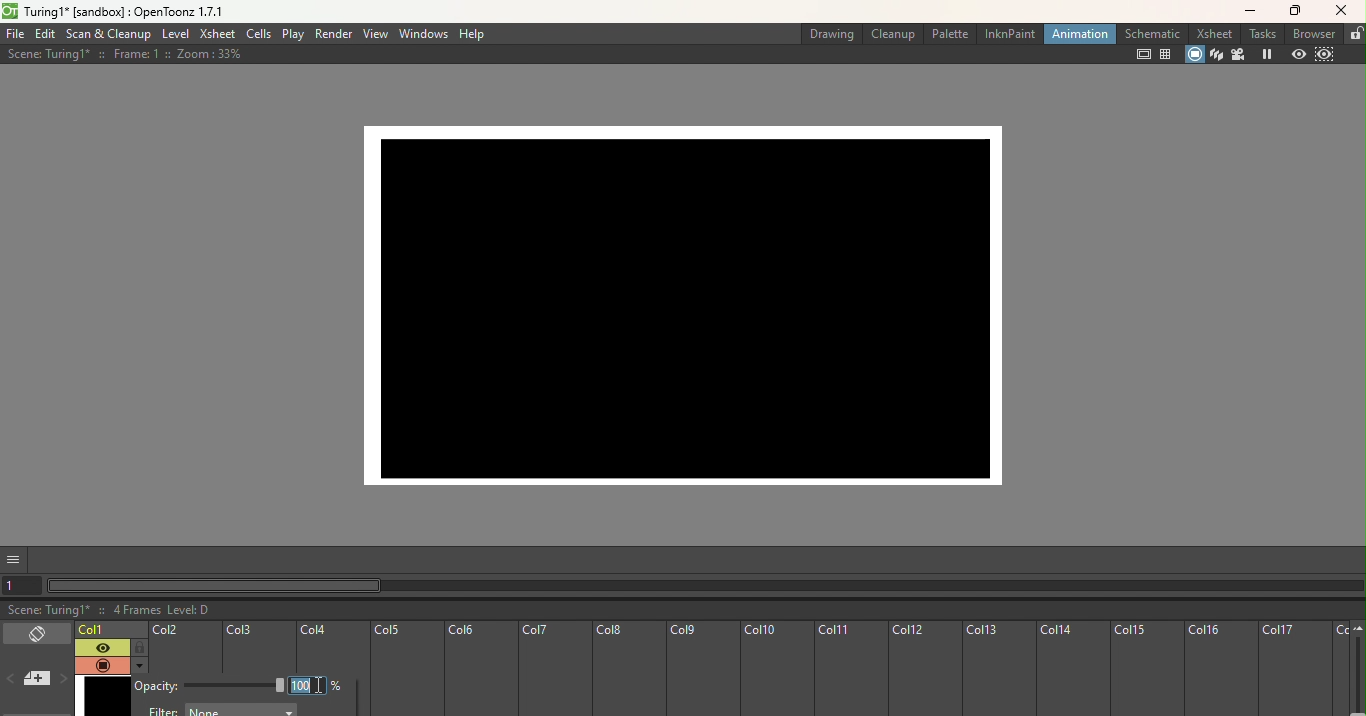 This screenshot has width=1366, height=716. I want to click on Frame, so click(99, 692).